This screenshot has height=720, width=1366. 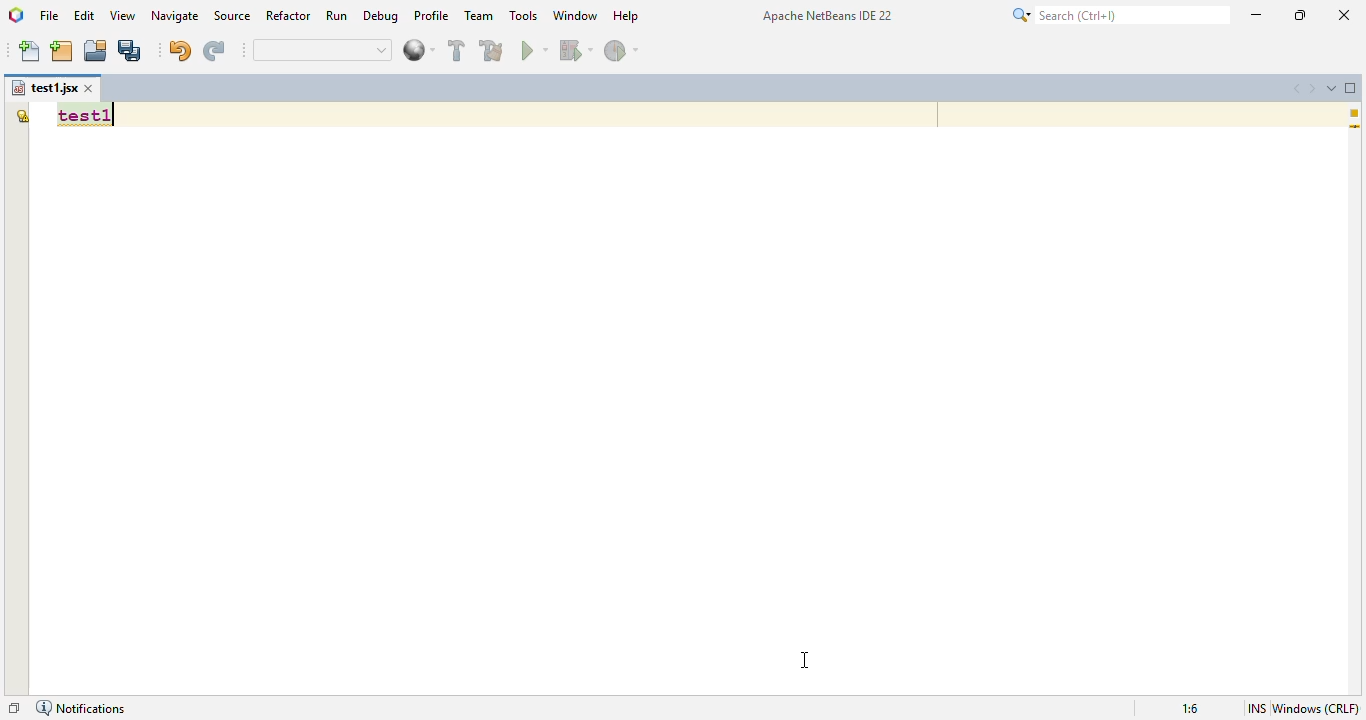 I want to click on font style and size changed to improve readability, so click(x=85, y=114).